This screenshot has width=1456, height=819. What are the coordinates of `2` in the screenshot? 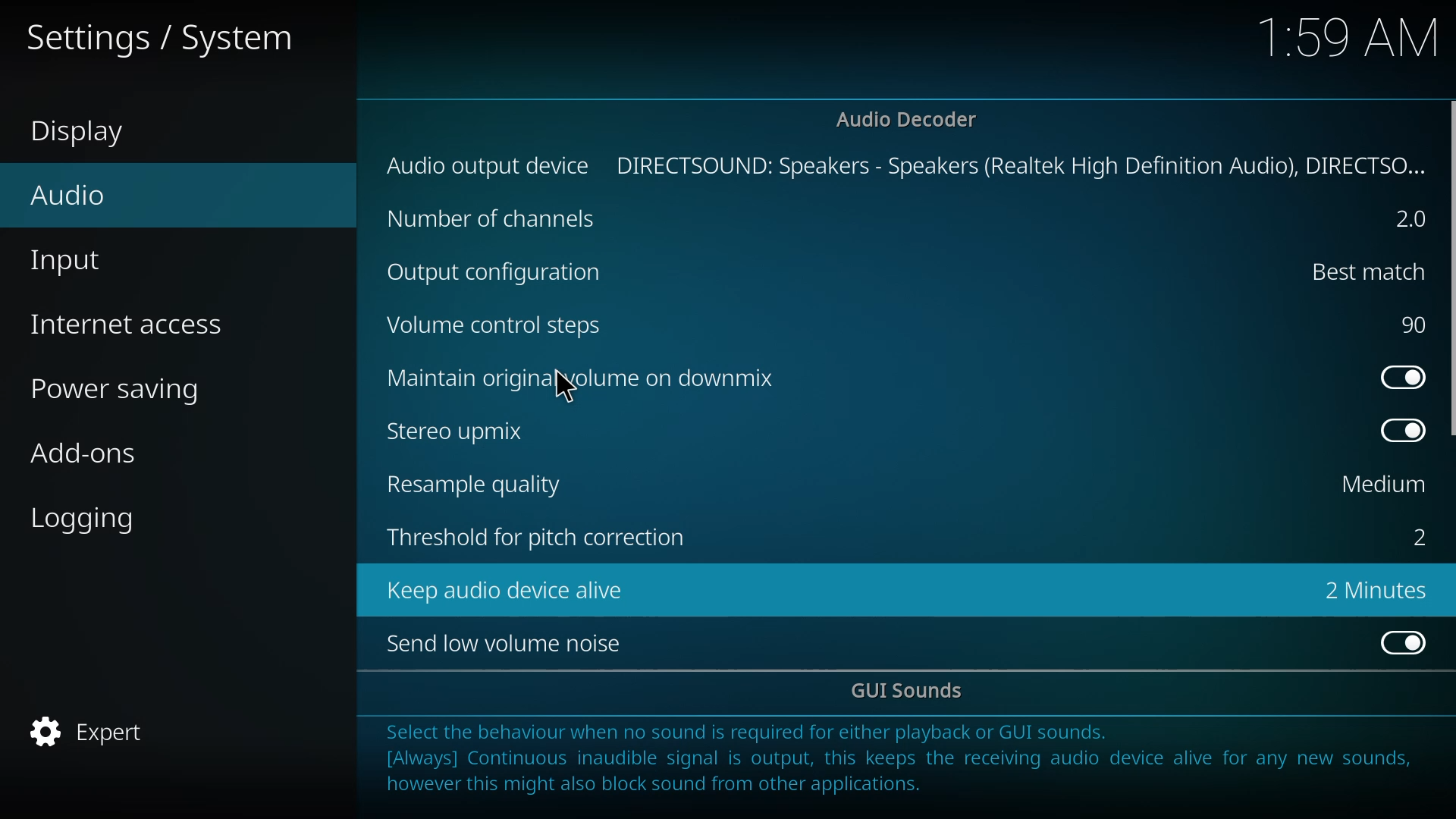 It's located at (1403, 219).